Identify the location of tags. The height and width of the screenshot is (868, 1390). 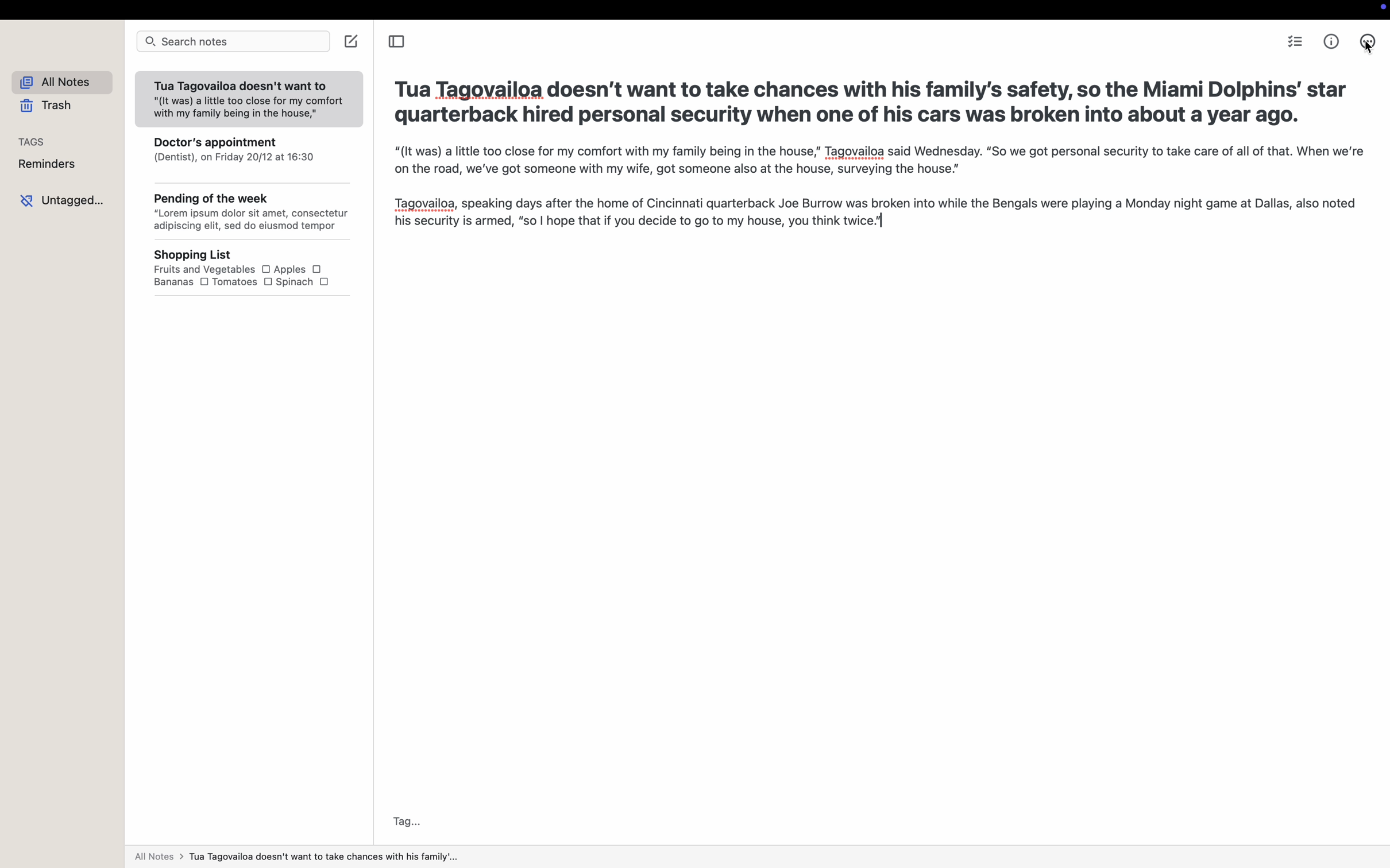
(33, 141).